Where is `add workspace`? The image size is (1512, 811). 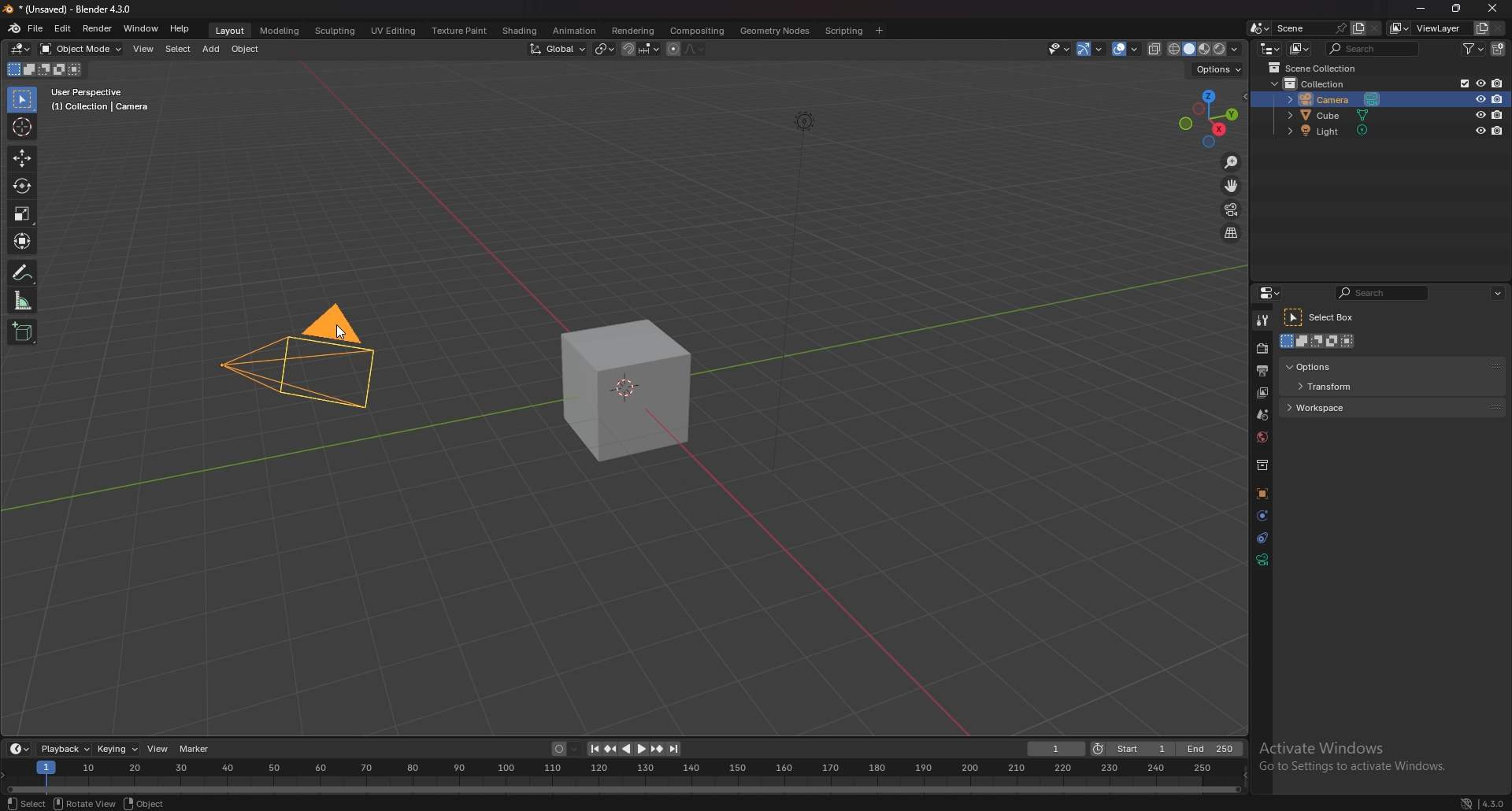 add workspace is located at coordinates (880, 29).